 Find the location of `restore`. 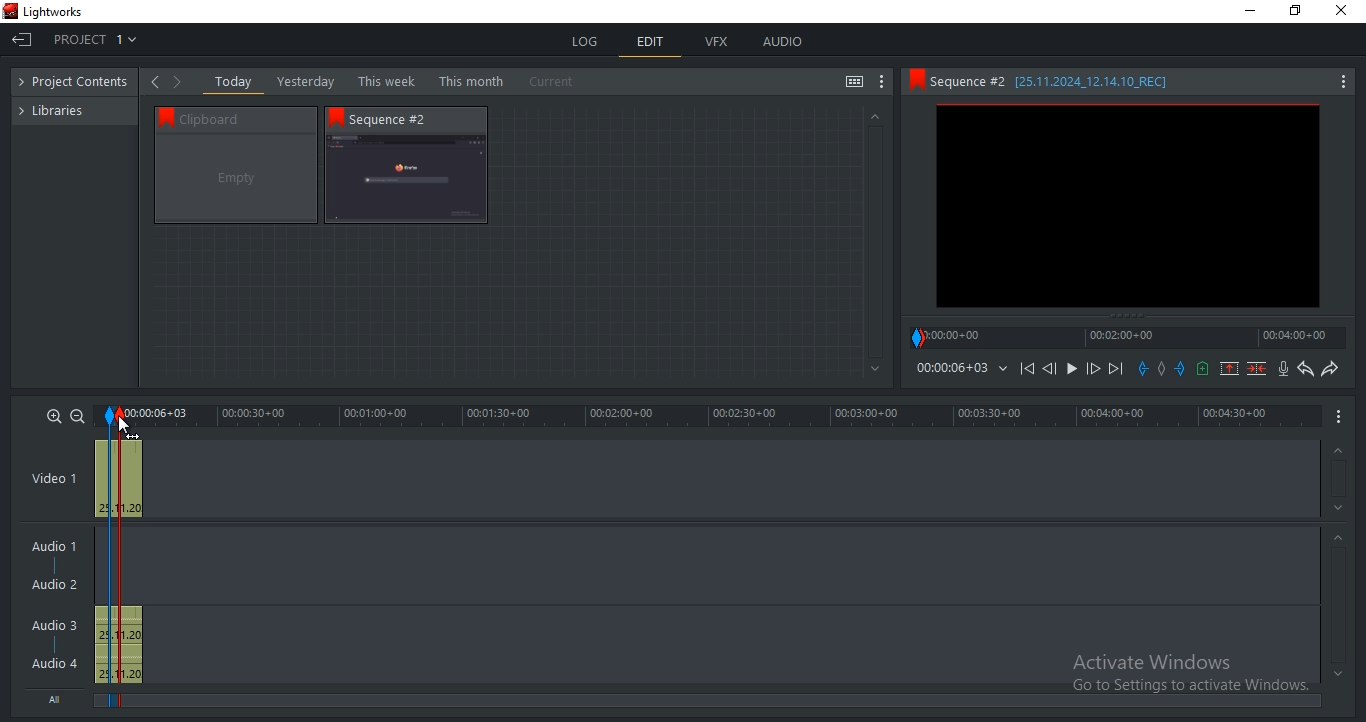

restore is located at coordinates (1295, 12).